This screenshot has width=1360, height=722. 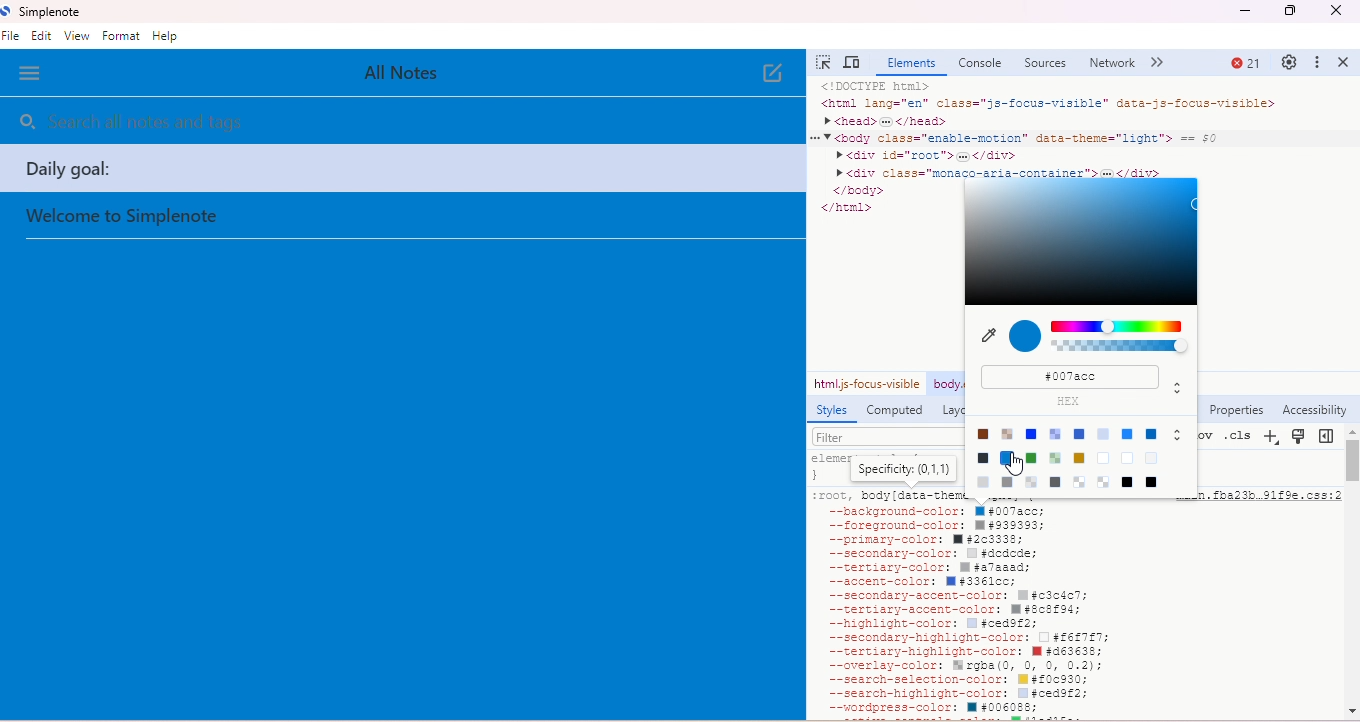 I want to click on close, so click(x=1346, y=62).